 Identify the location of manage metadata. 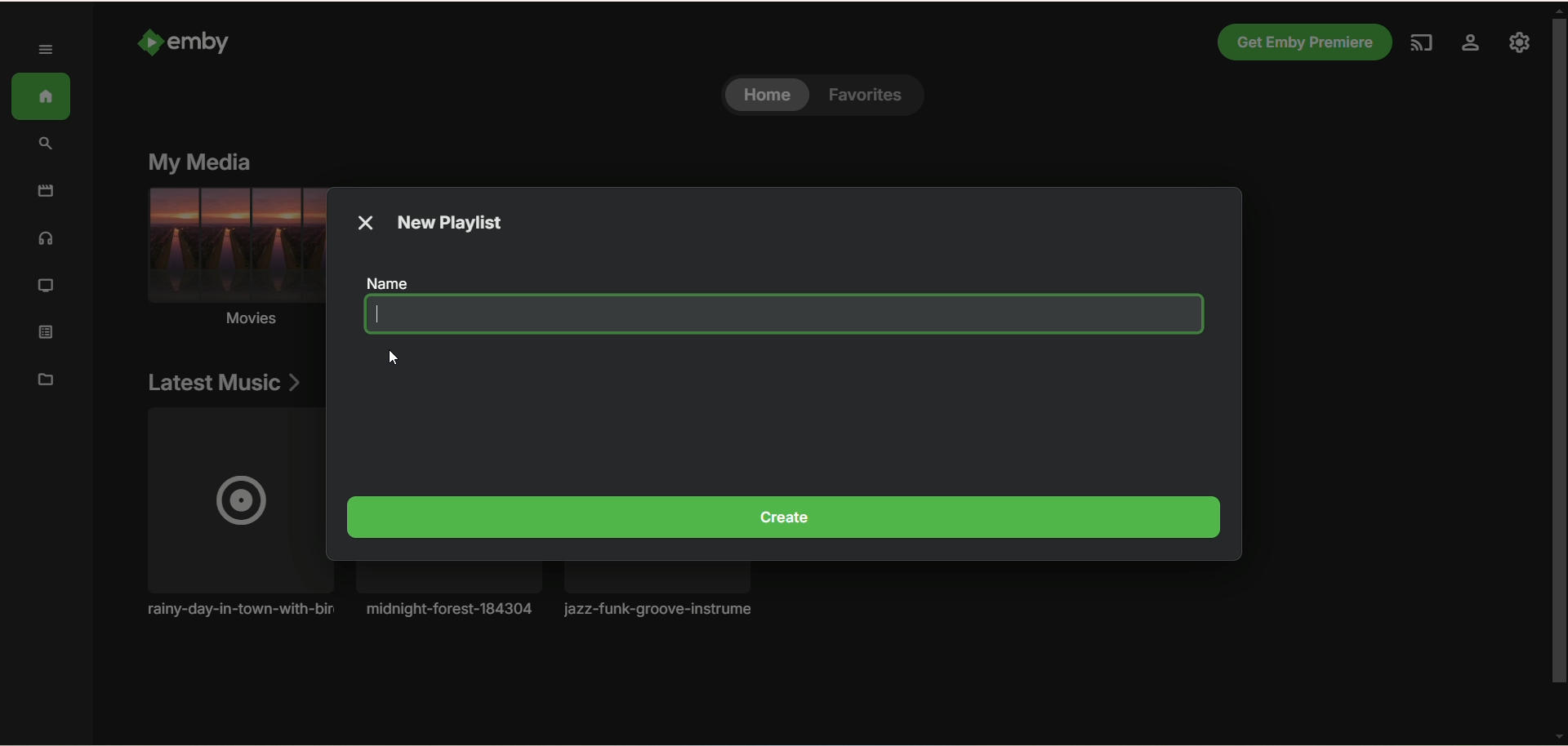
(46, 379).